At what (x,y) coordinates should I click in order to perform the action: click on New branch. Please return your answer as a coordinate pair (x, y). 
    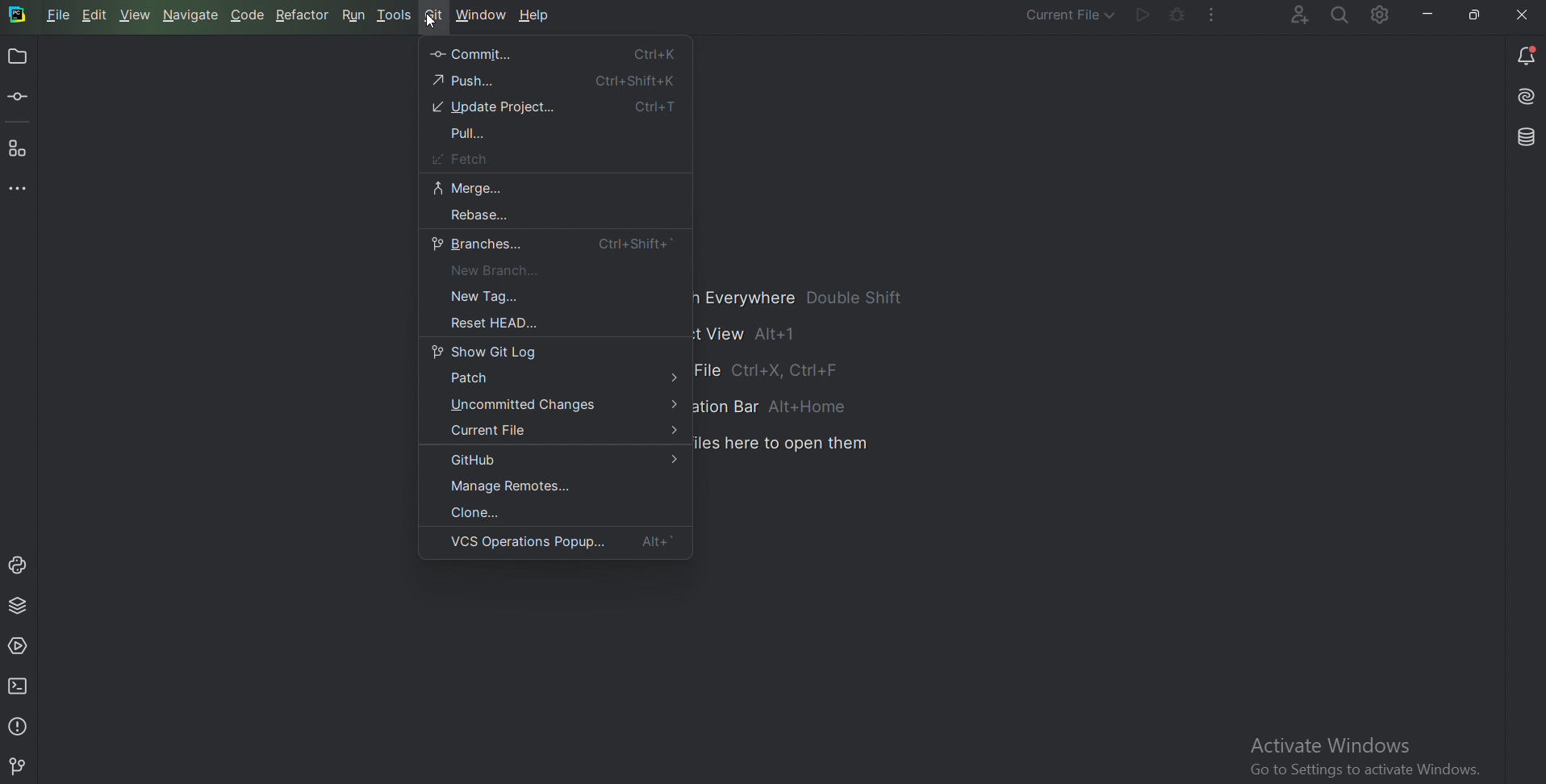
    Looking at the image, I should click on (492, 270).